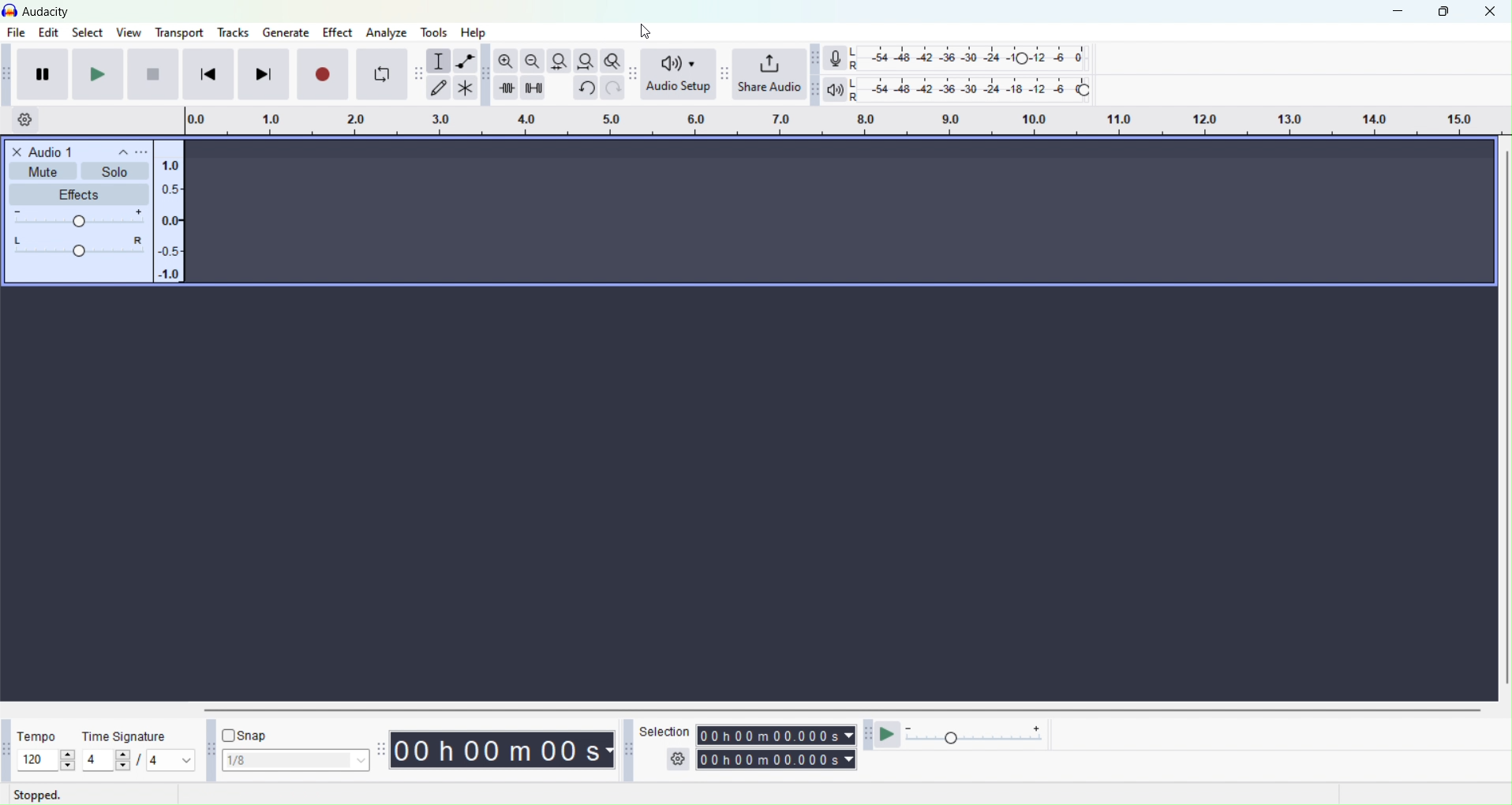 This screenshot has height=805, width=1512. Describe the element at coordinates (1400, 11) in the screenshot. I see `Minimize` at that location.